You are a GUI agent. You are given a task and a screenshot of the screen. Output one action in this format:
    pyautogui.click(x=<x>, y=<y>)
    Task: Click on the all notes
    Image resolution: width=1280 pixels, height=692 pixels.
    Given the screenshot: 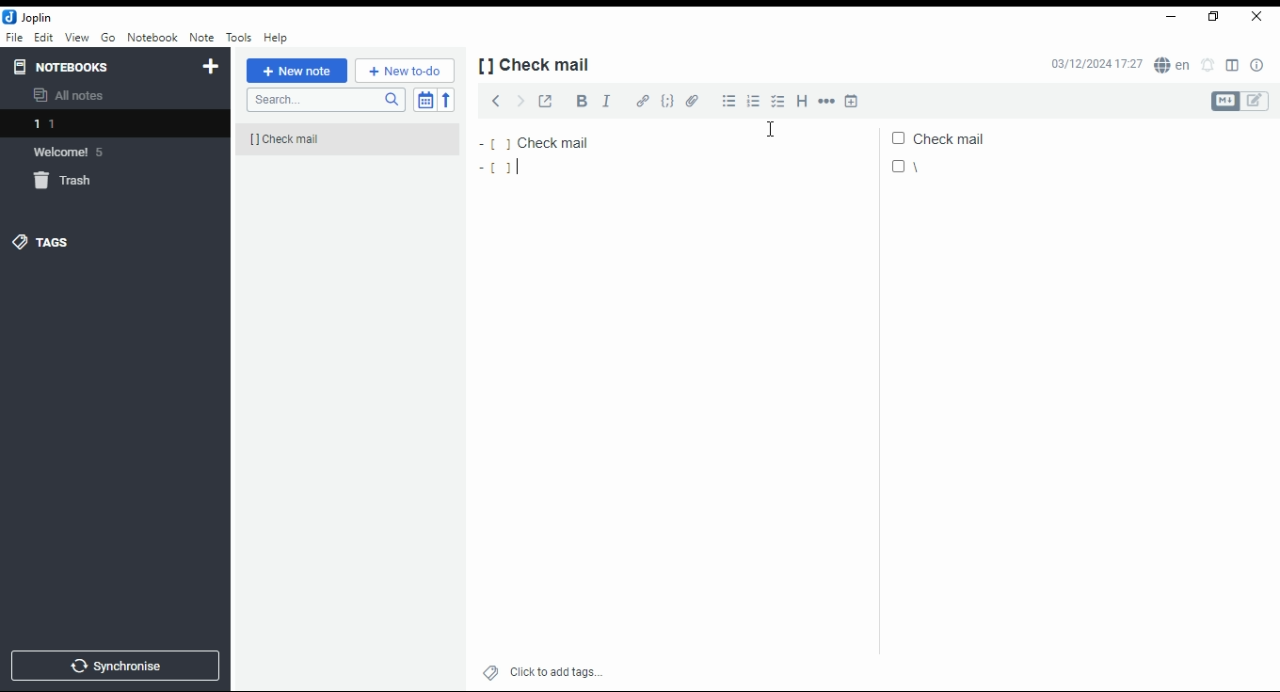 What is the action you would take?
    pyautogui.click(x=71, y=95)
    